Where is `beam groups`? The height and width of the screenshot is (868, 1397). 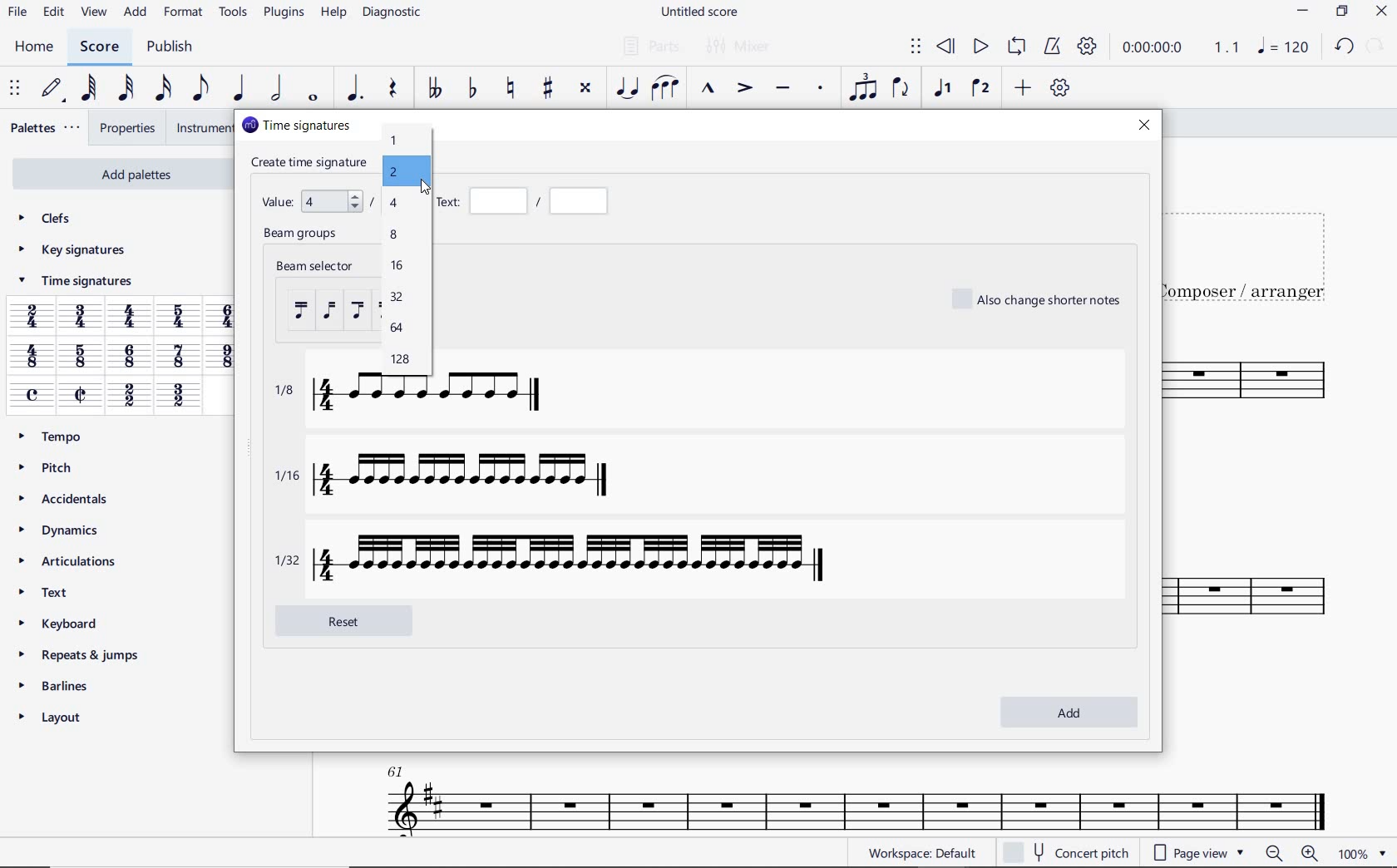
beam groups is located at coordinates (304, 235).